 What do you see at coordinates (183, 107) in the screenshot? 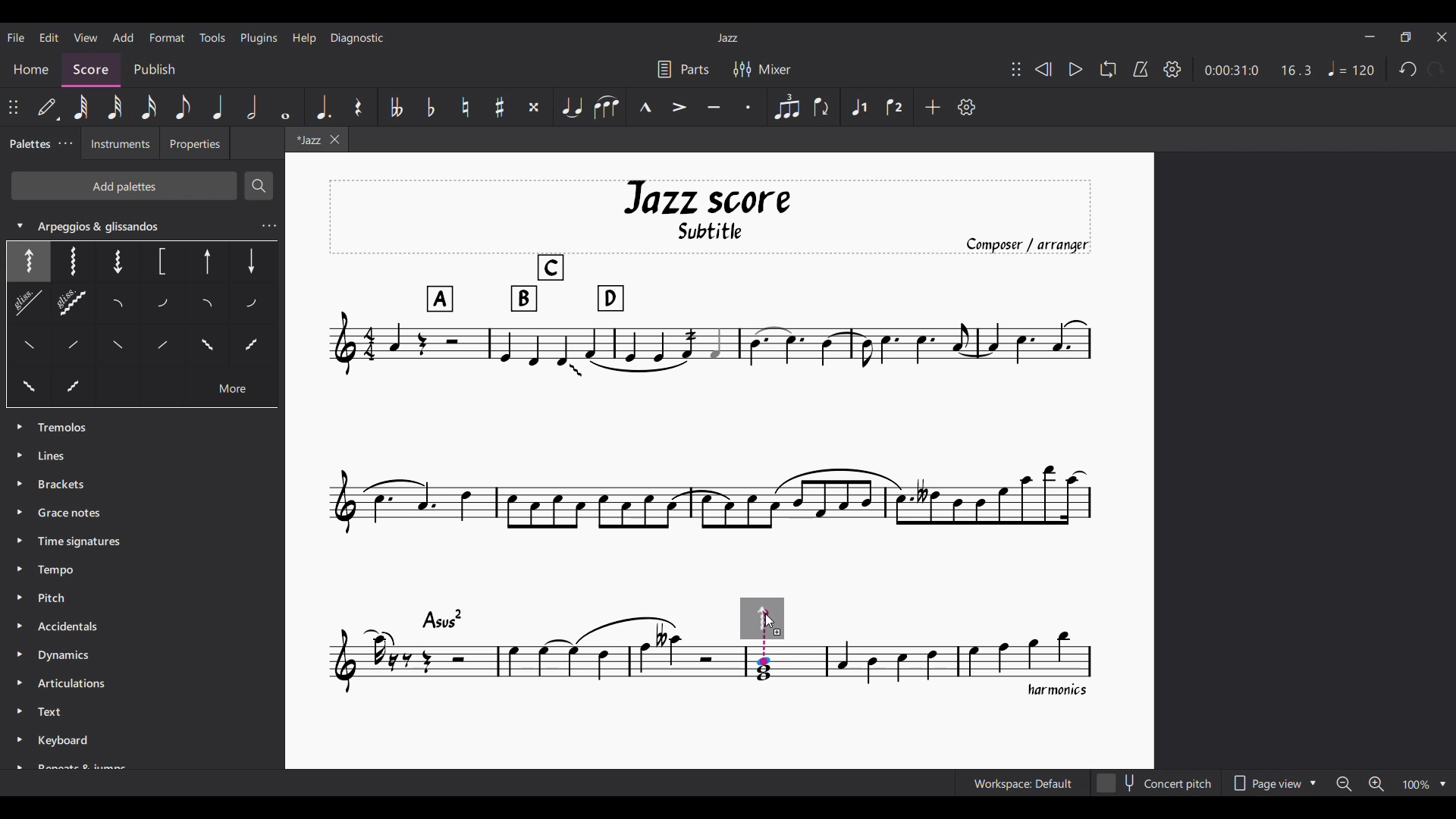
I see `8th note` at bounding box center [183, 107].